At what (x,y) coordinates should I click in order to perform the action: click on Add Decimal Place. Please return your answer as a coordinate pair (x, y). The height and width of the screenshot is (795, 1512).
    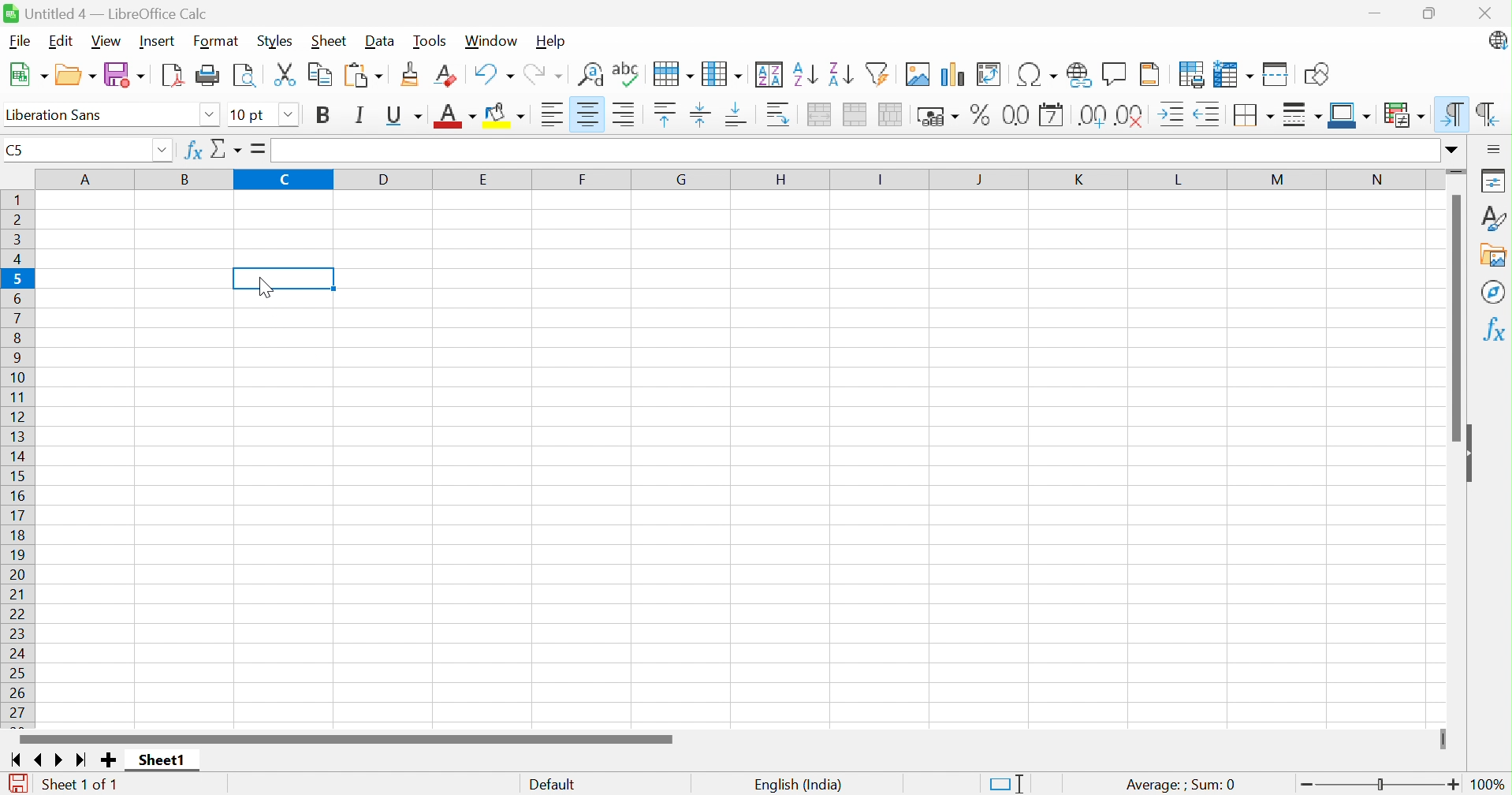
    Looking at the image, I should click on (1090, 114).